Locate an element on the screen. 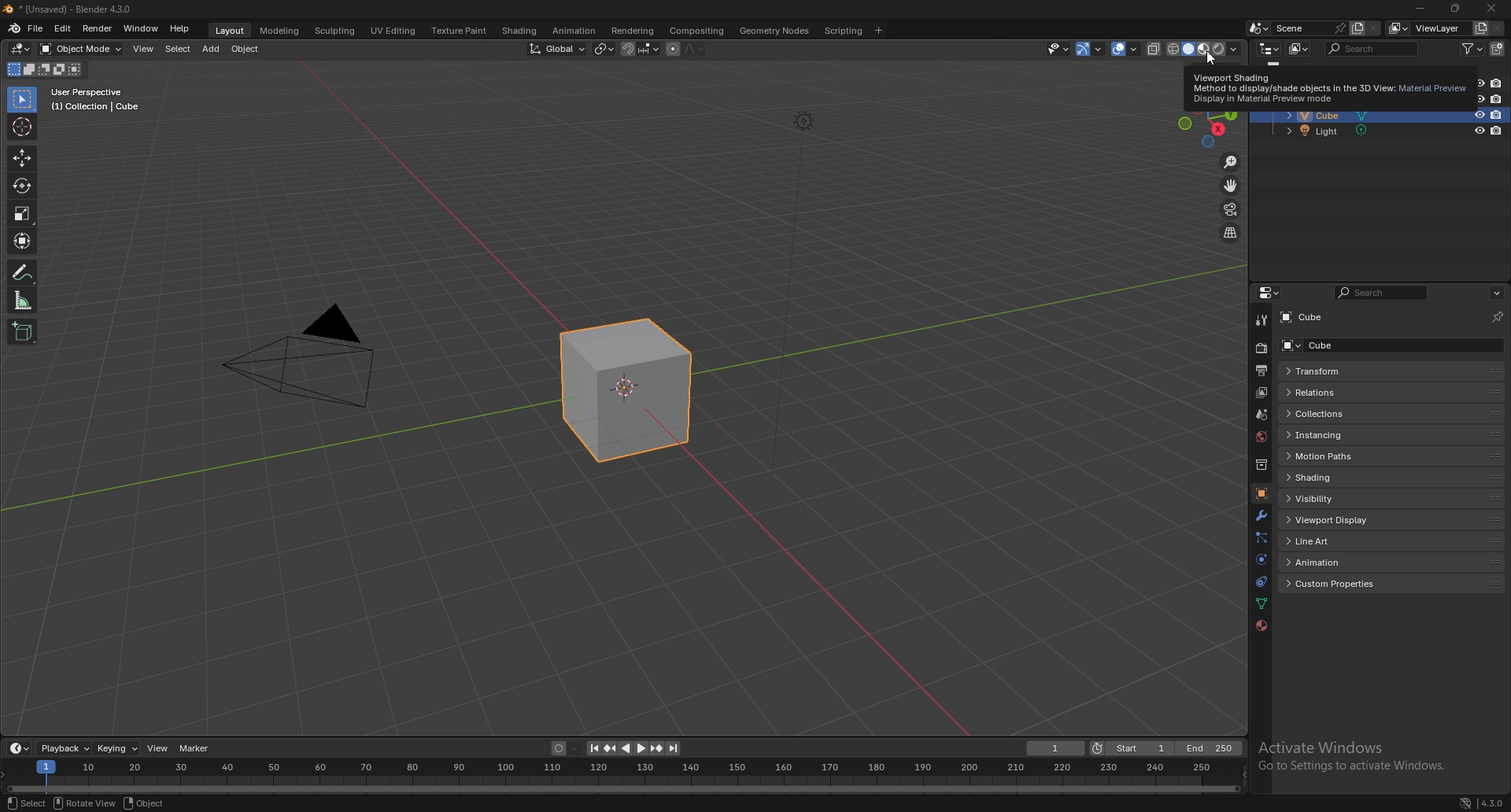  shading is located at coordinates (1357, 477).